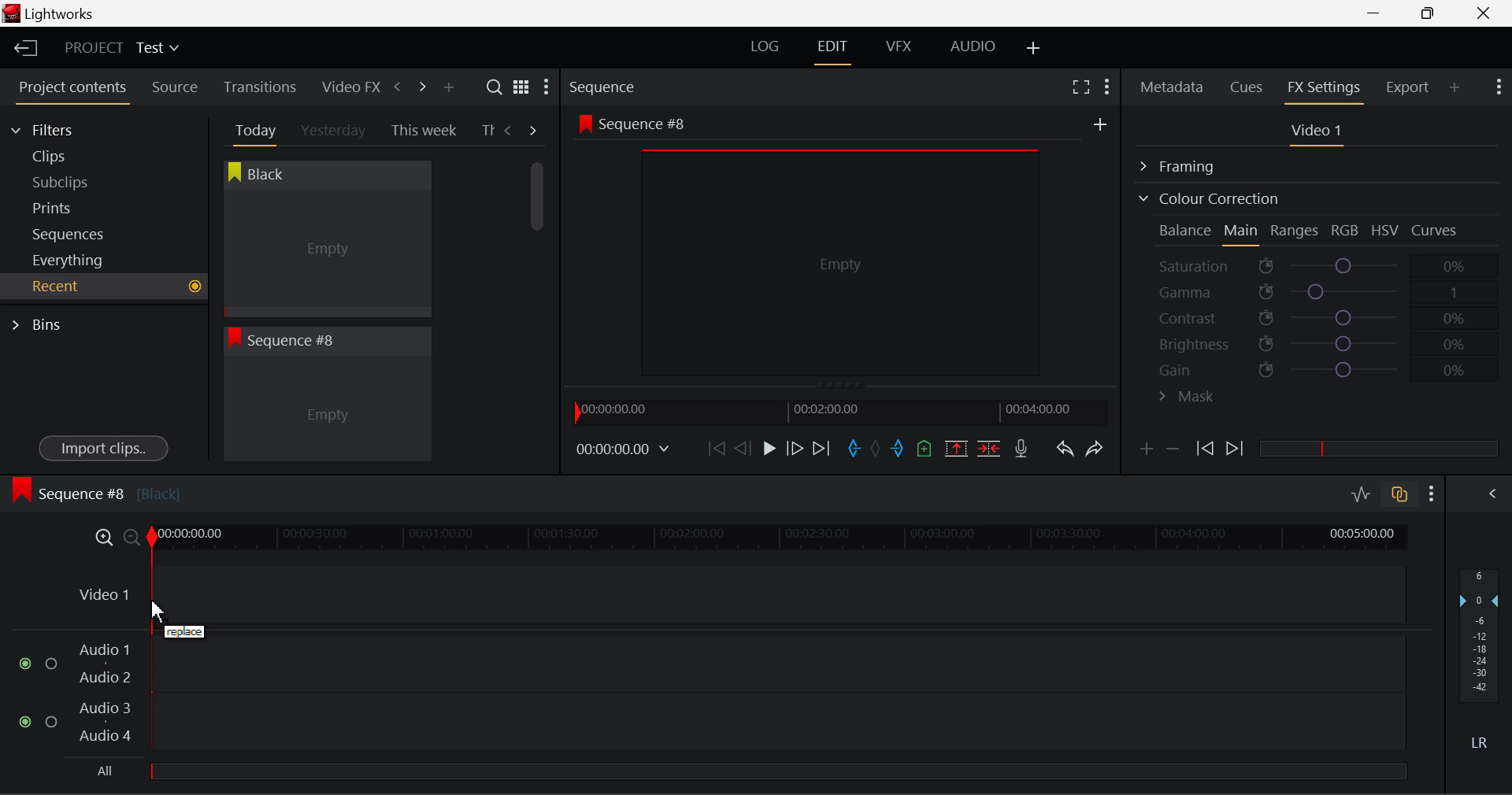 The height and width of the screenshot is (795, 1512). Describe the element at coordinates (989, 448) in the screenshot. I see `Delete/Cut` at that location.